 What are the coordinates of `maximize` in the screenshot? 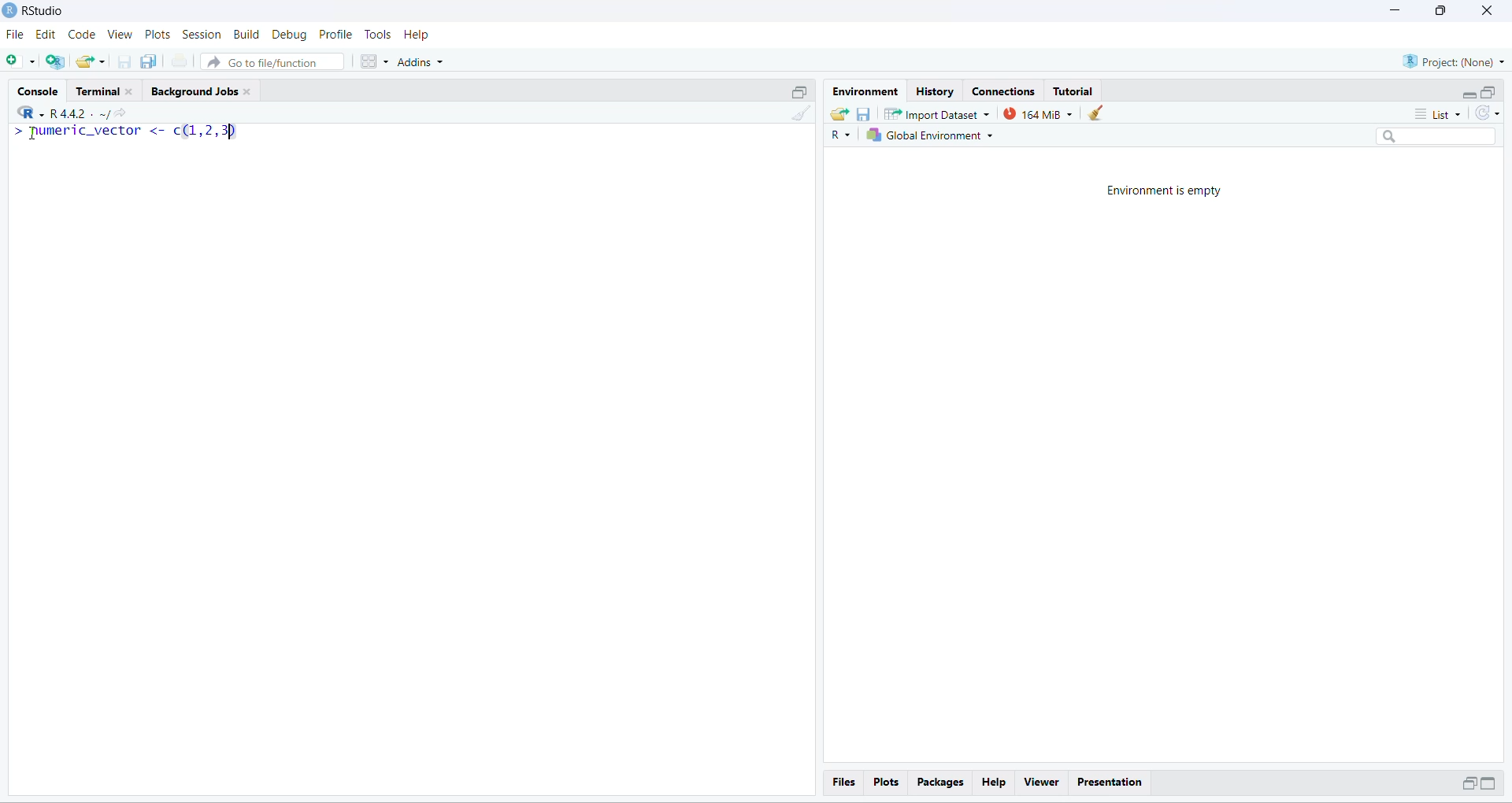 It's located at (1488, 92).